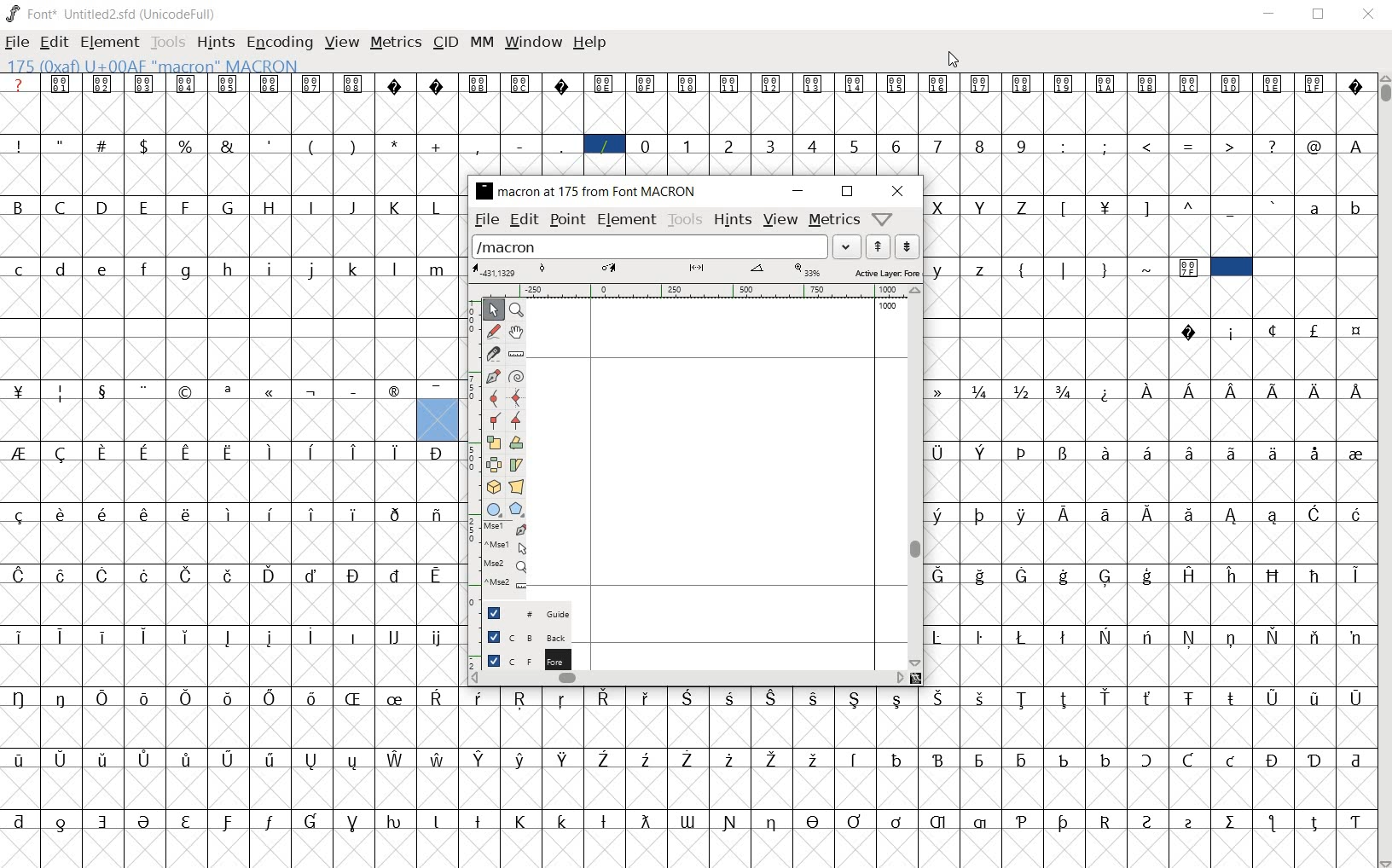 The height and width of the screenshot is (868, 1392). What do you see at coordinates (146, 758) in the screenshot?
I see `Symbol` at bounding box center [146, 758].